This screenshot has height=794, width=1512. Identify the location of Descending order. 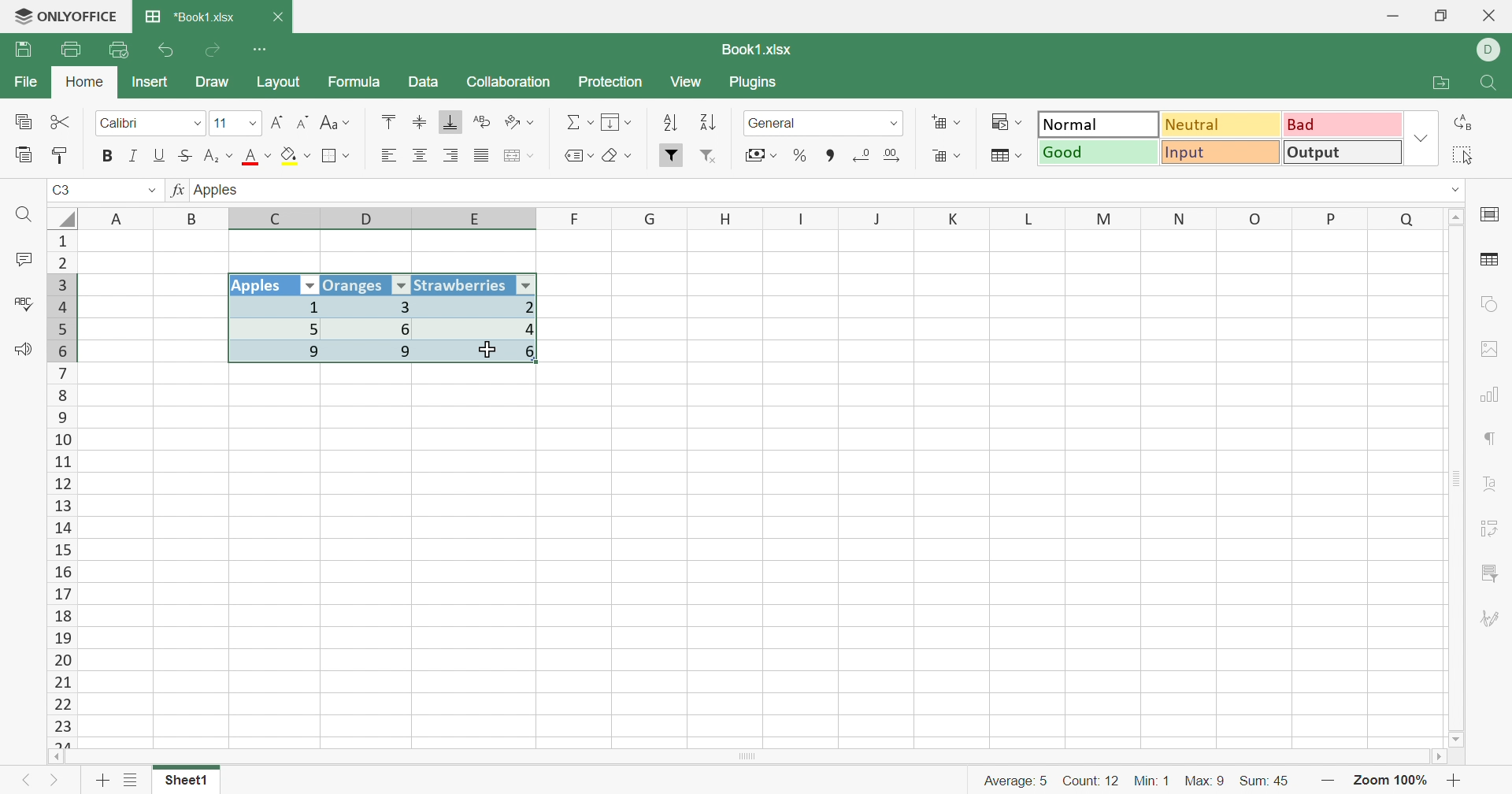
(706, 124).